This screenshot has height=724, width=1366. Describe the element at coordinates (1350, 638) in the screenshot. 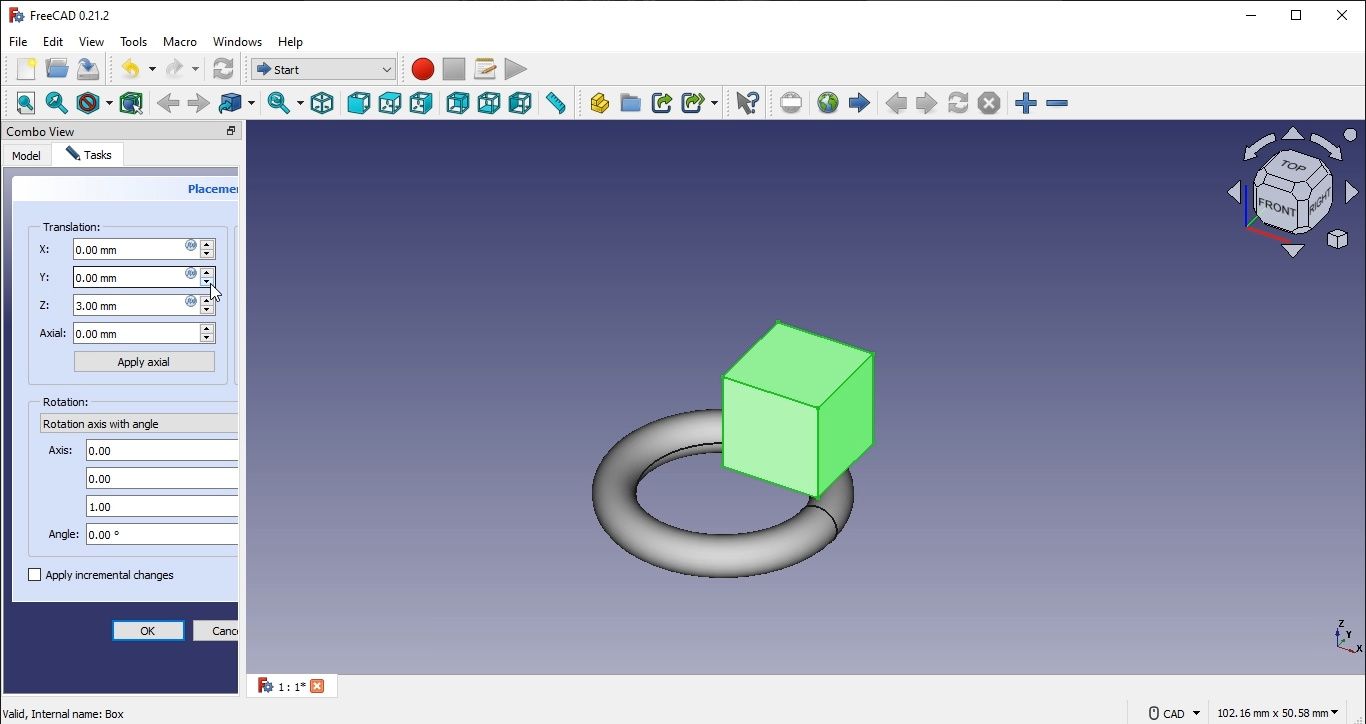

I see `coordinate directional axis icon` at that location.